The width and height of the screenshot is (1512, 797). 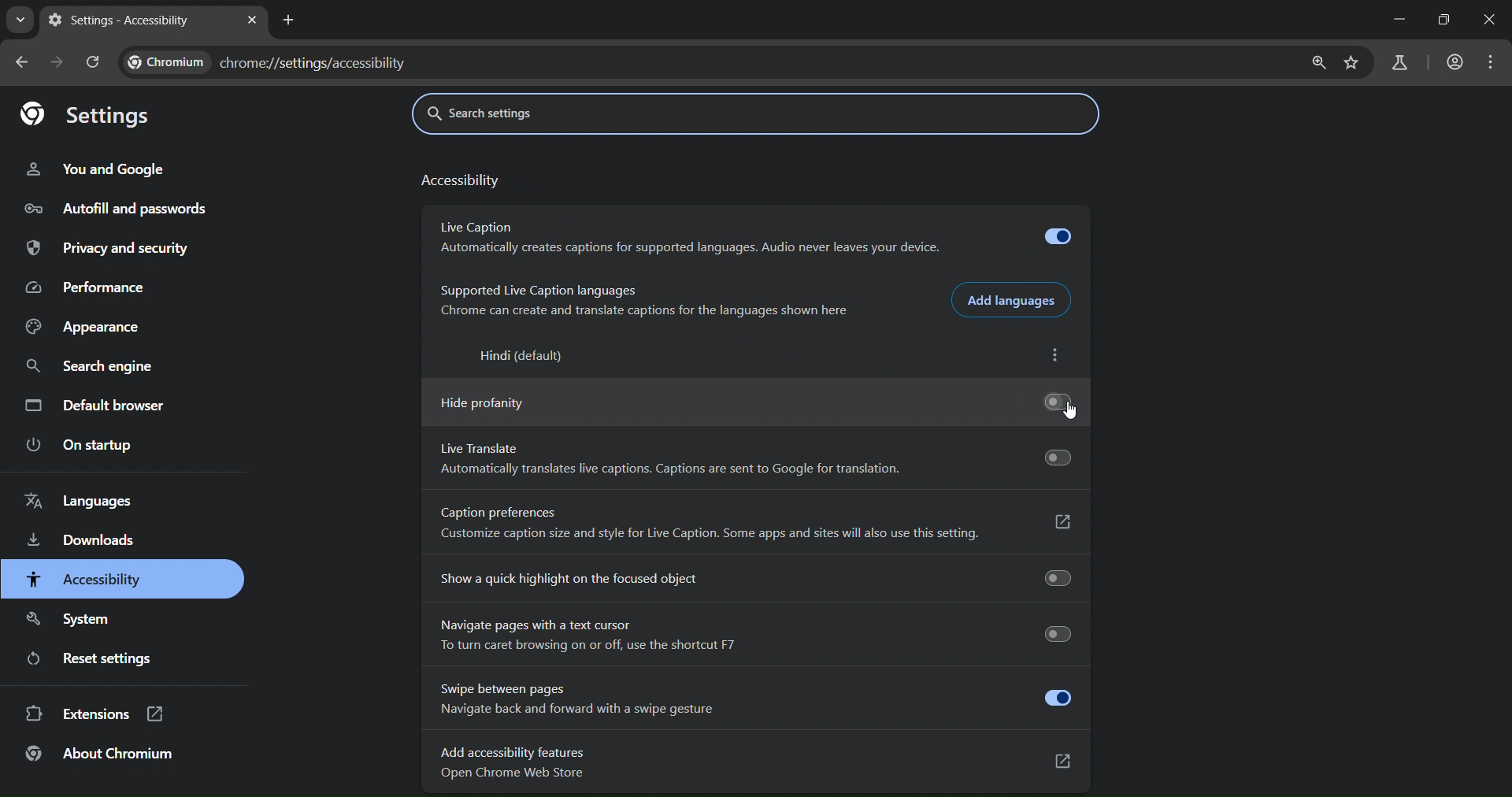 I want to click on languages, so click(x=86, y=497).